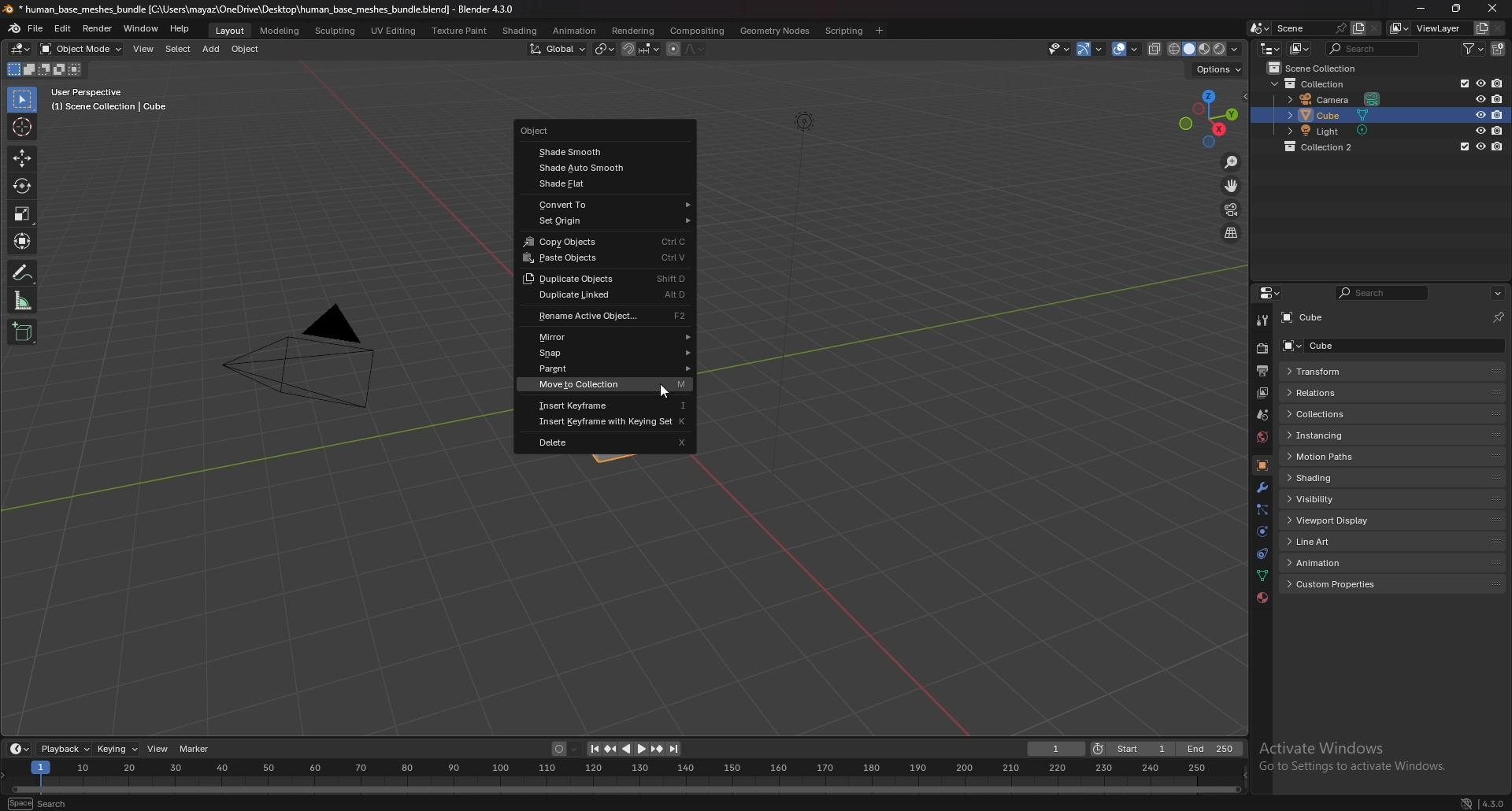  I want to click on options, so click(1497, 294).